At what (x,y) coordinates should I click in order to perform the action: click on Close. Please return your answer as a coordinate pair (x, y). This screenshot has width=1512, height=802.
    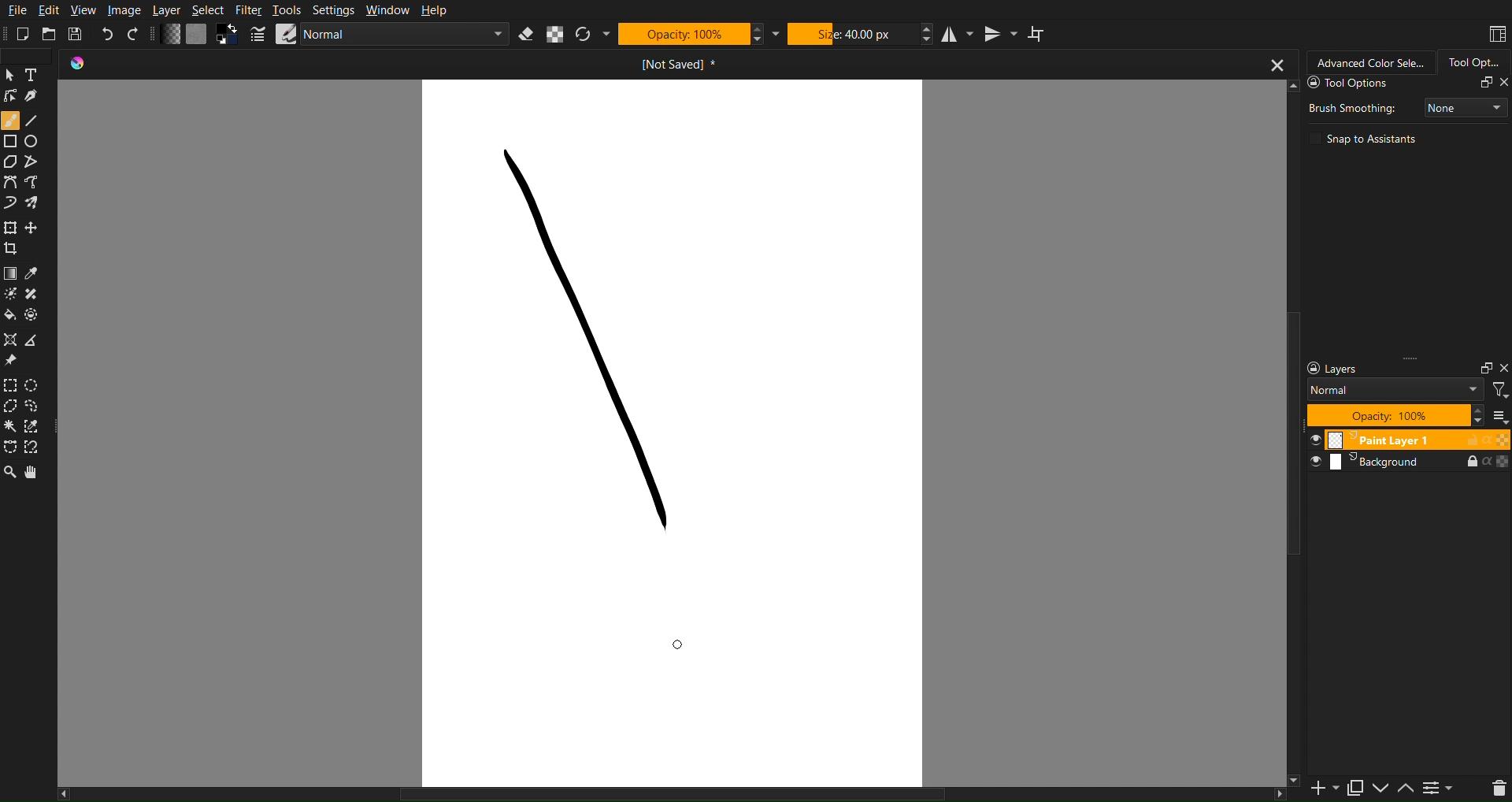
    Looking at the image, I should click on (1503, 83).